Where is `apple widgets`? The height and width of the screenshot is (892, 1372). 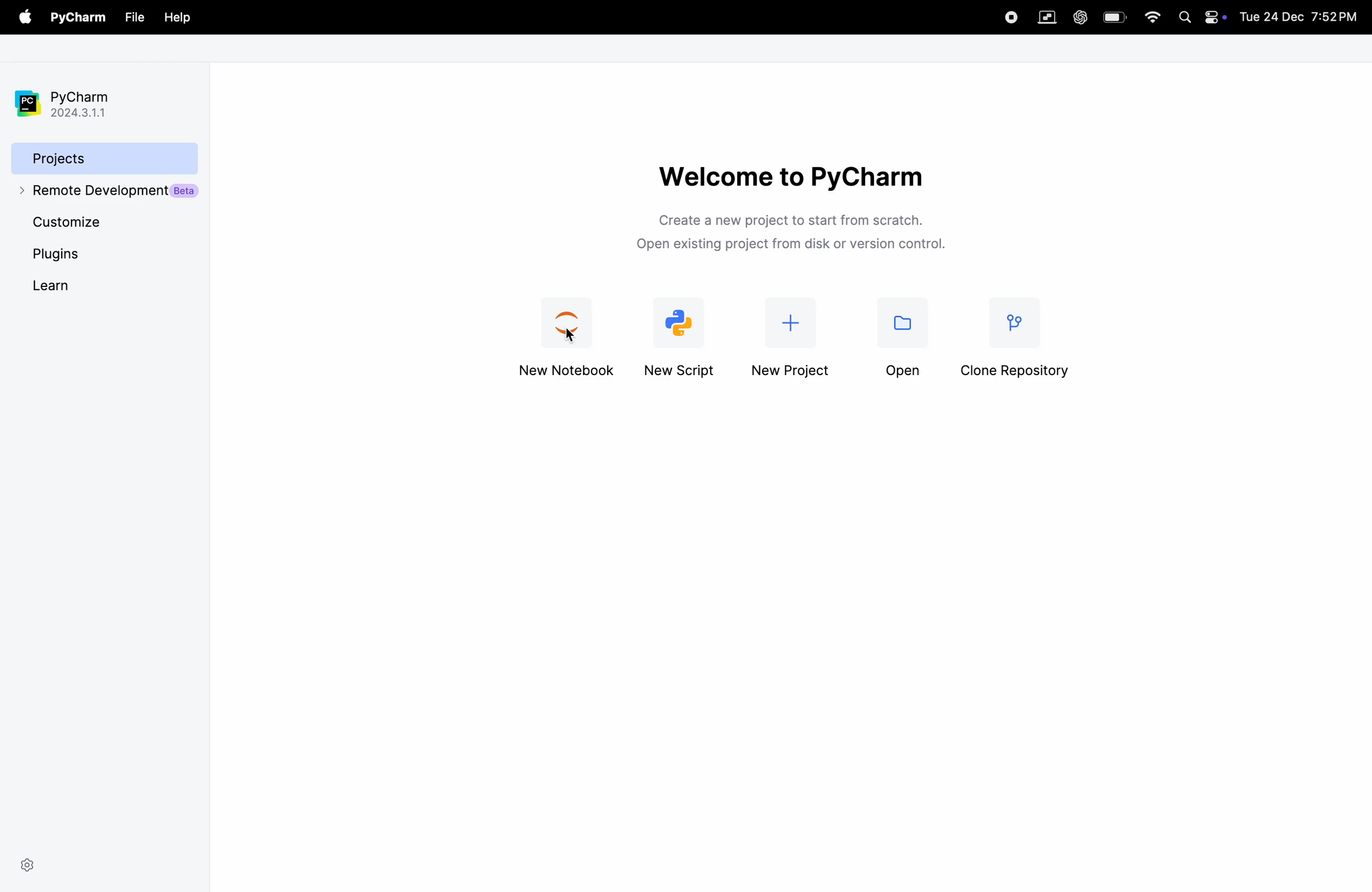 apple widgets is located at coordinates (1199, 16).